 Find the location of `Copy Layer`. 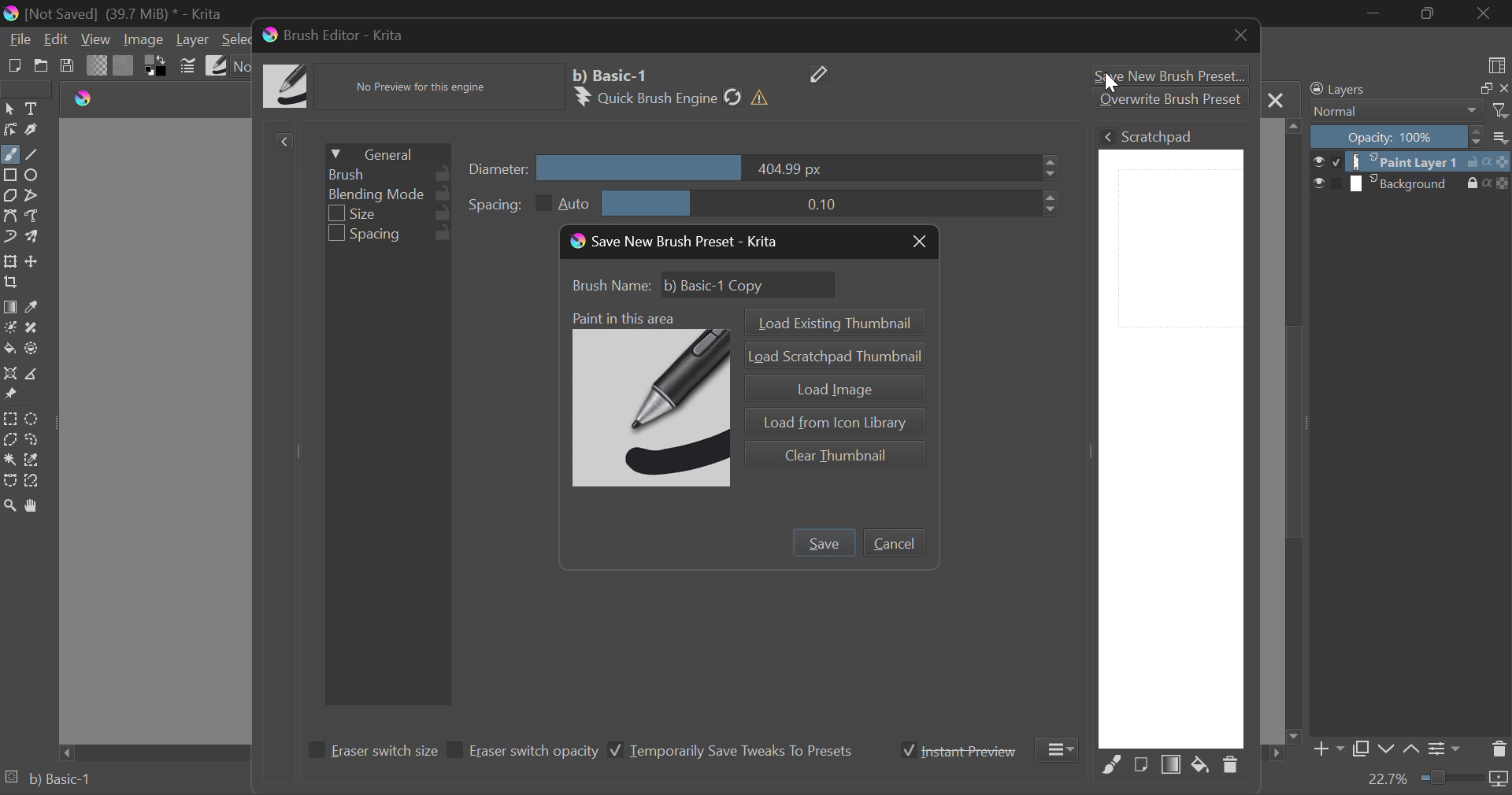

Copy Layer is located at coordinates (1362, 749).